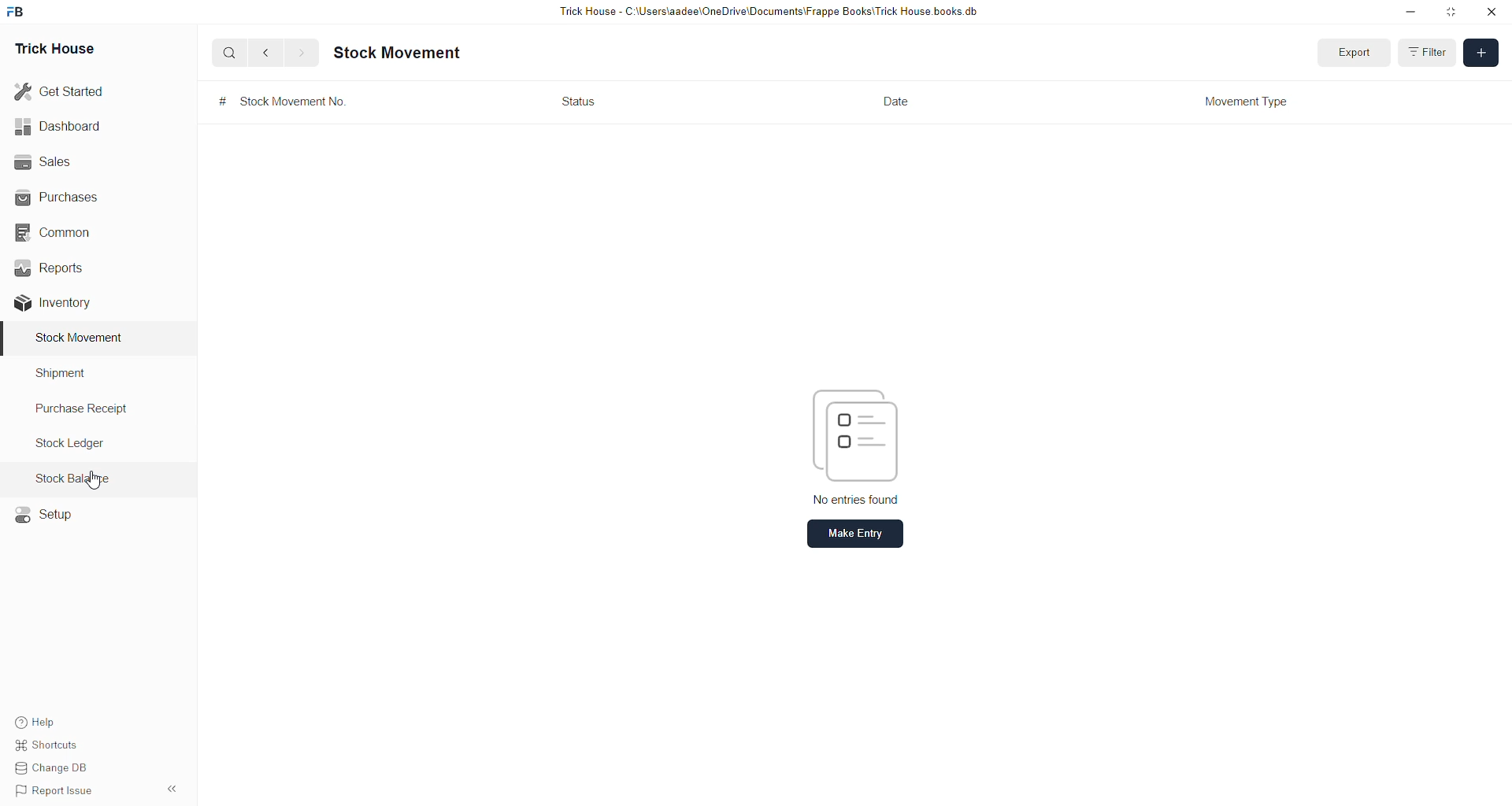 The image size is (1512, 806). I want to click on Stock Movement, so click(74, 338).